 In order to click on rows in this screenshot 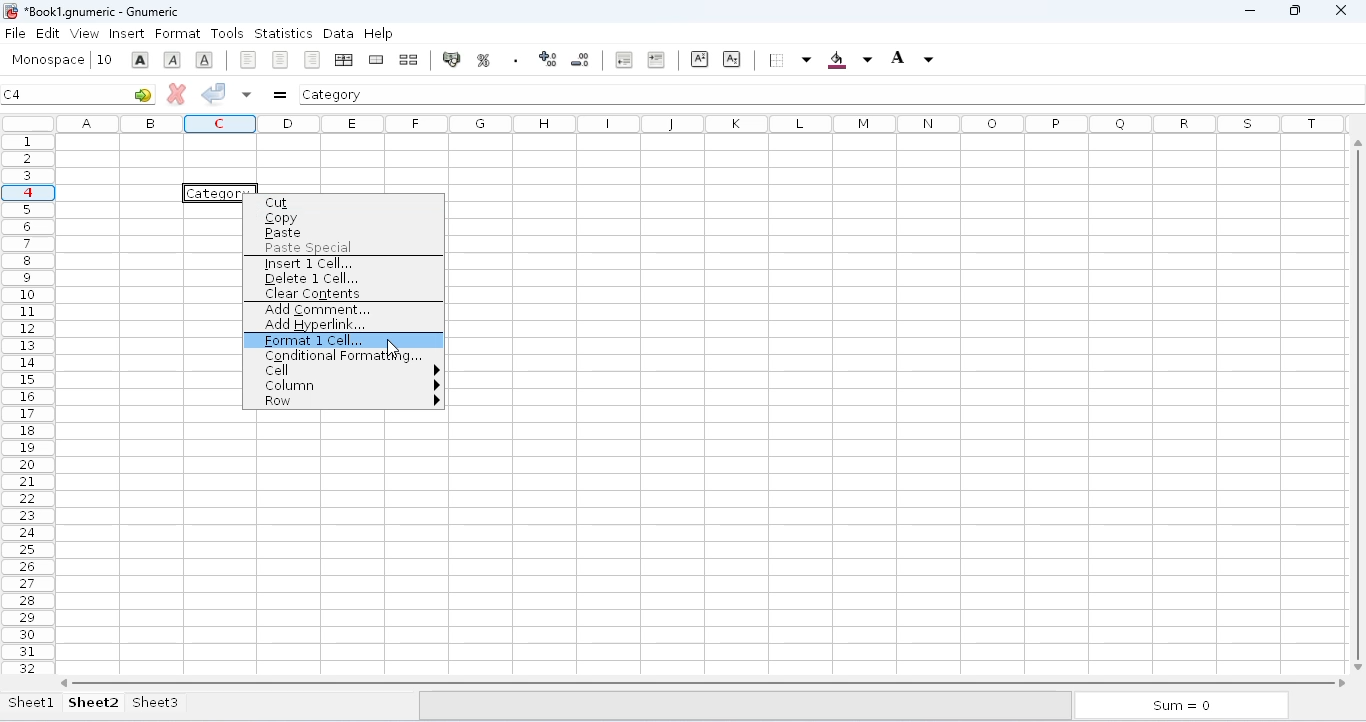, I will do `click(28, 404)`.